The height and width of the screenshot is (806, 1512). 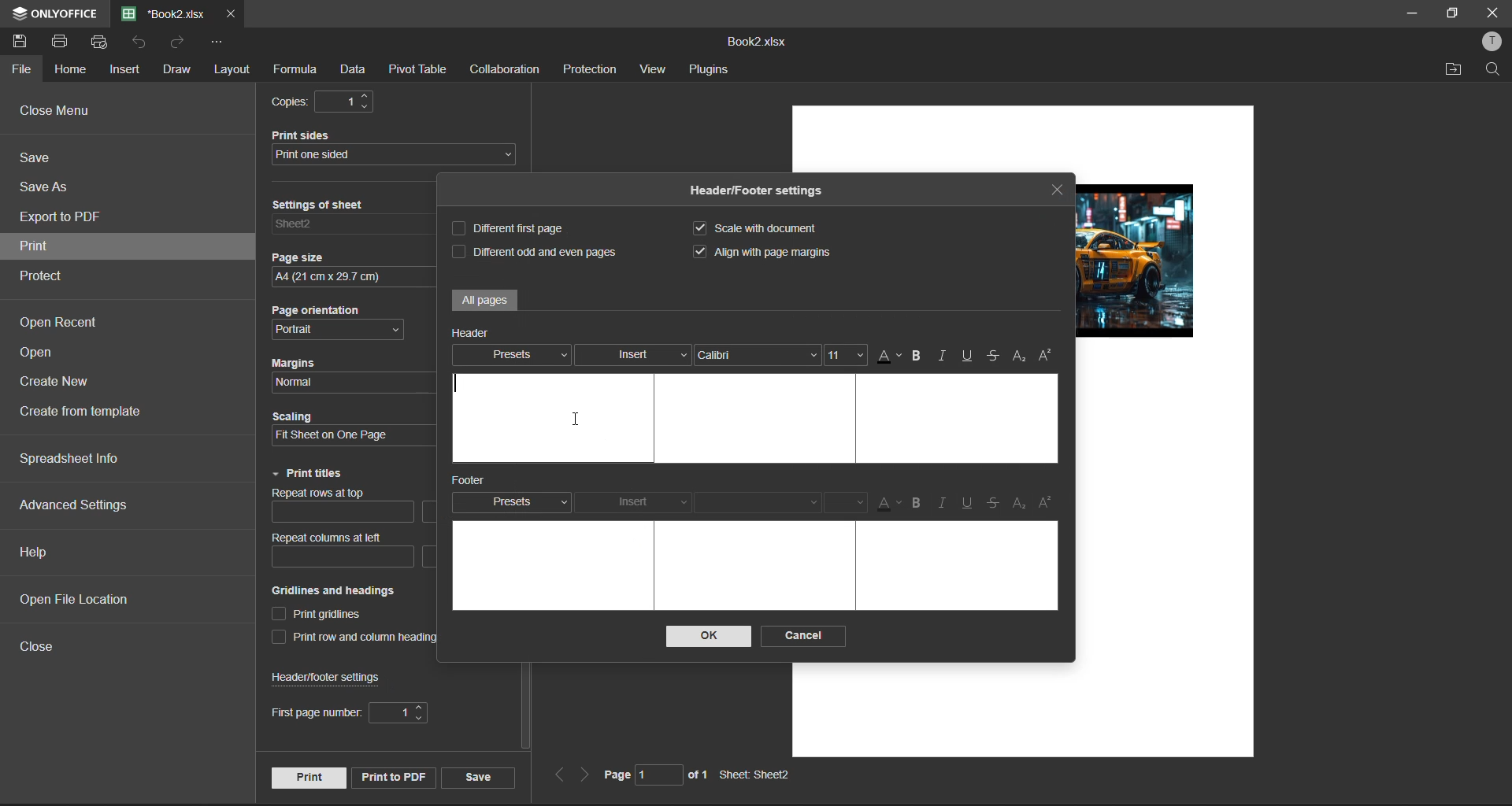 I want to click on file name, so click(x=164, y=14).